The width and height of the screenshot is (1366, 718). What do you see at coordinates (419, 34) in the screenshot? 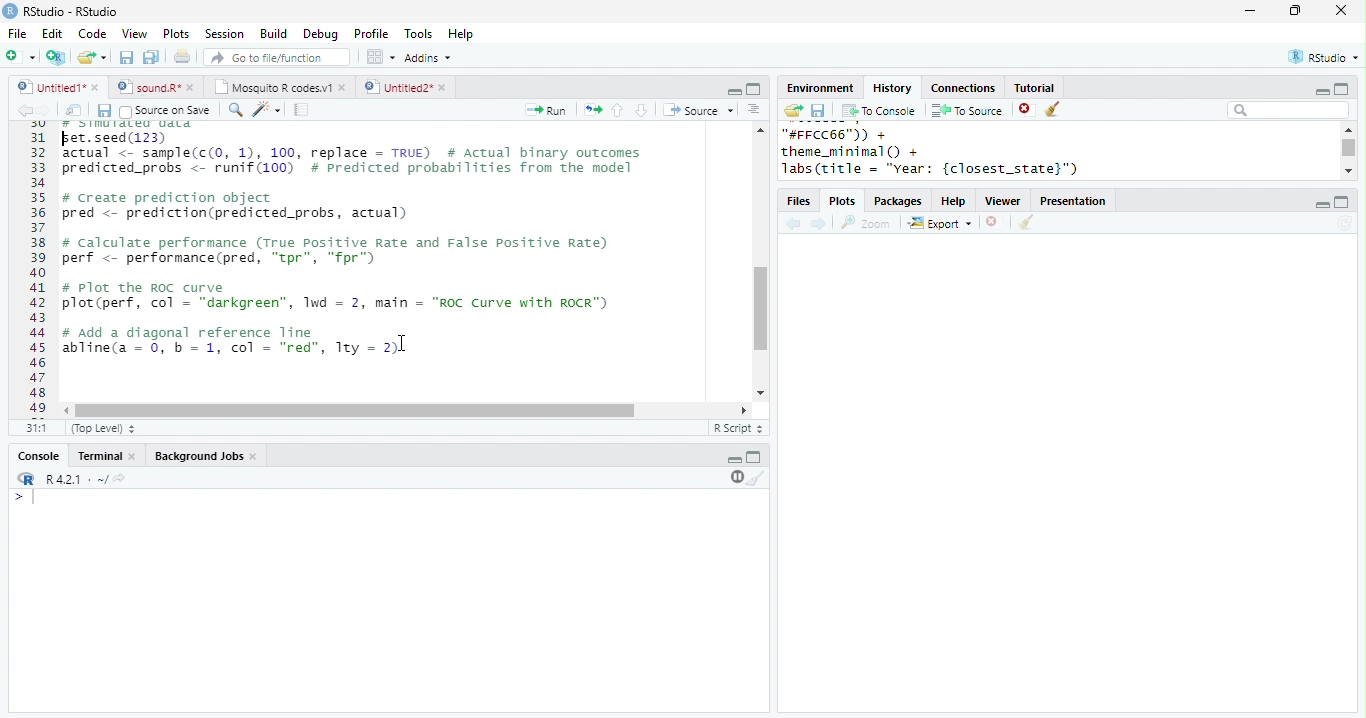
I see `Tools` at bounding box center [419, 34].